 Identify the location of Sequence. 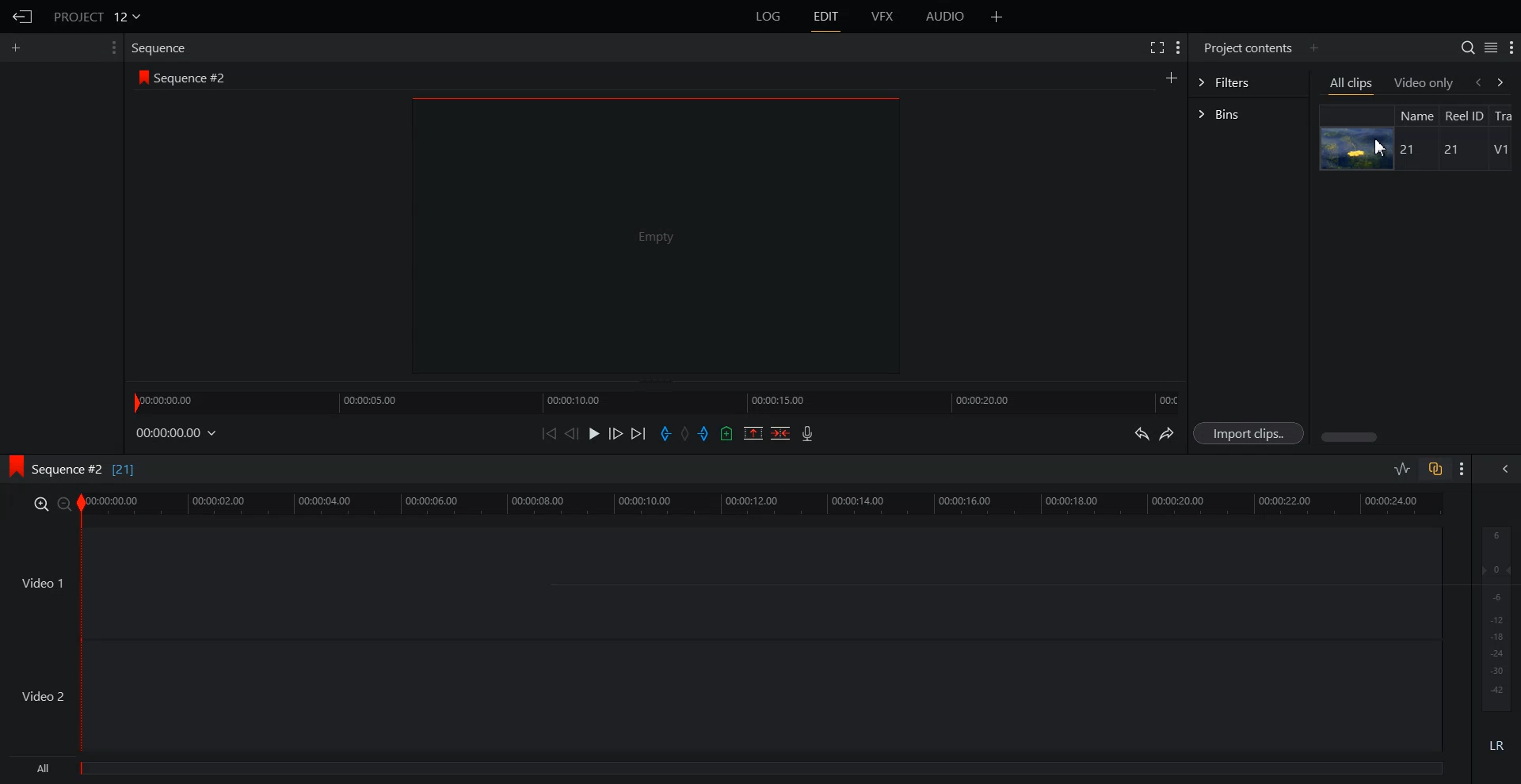
(162, 49).